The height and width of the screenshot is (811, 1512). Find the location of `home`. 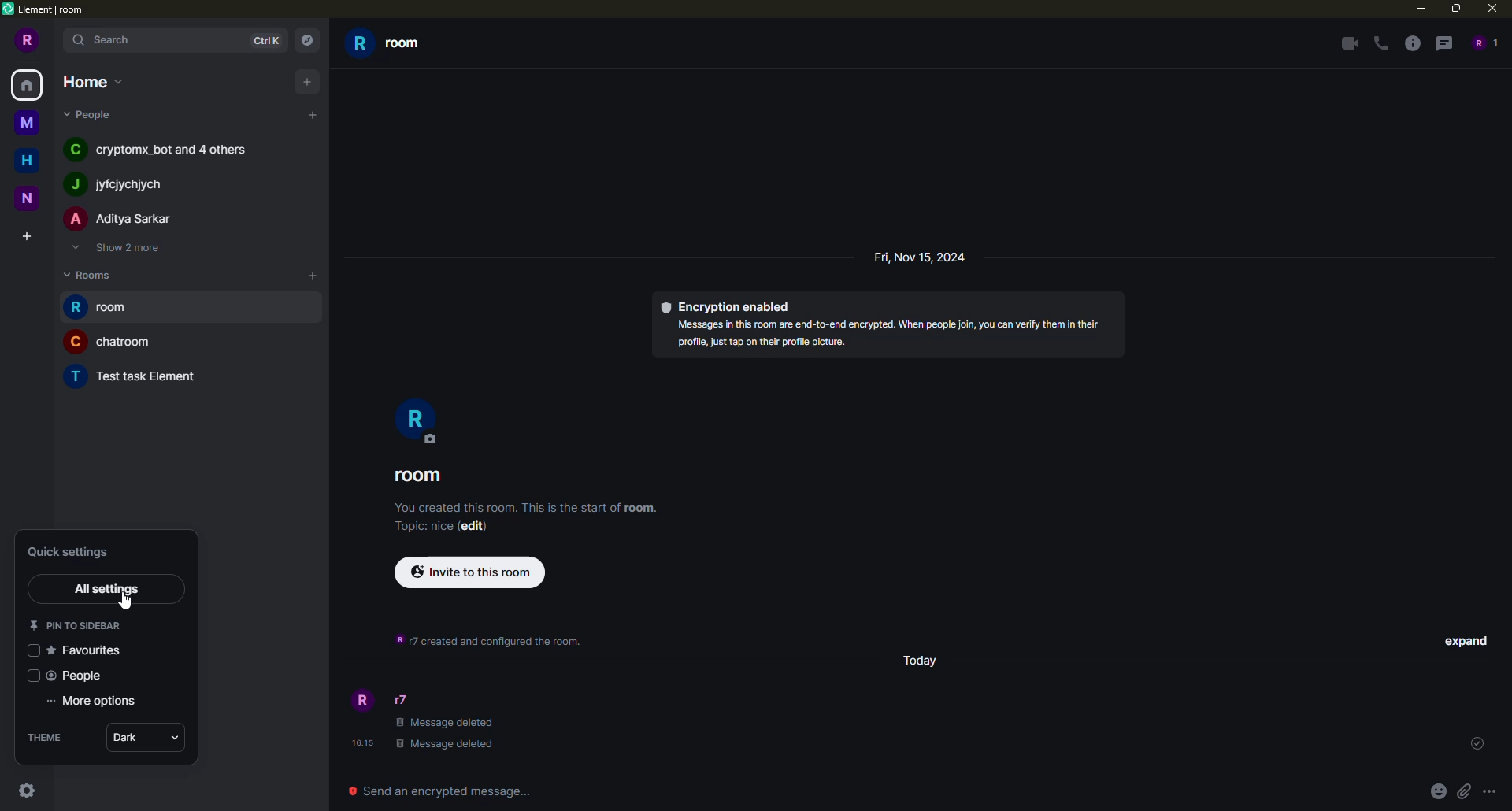

home is located at coordinates (30, 84).